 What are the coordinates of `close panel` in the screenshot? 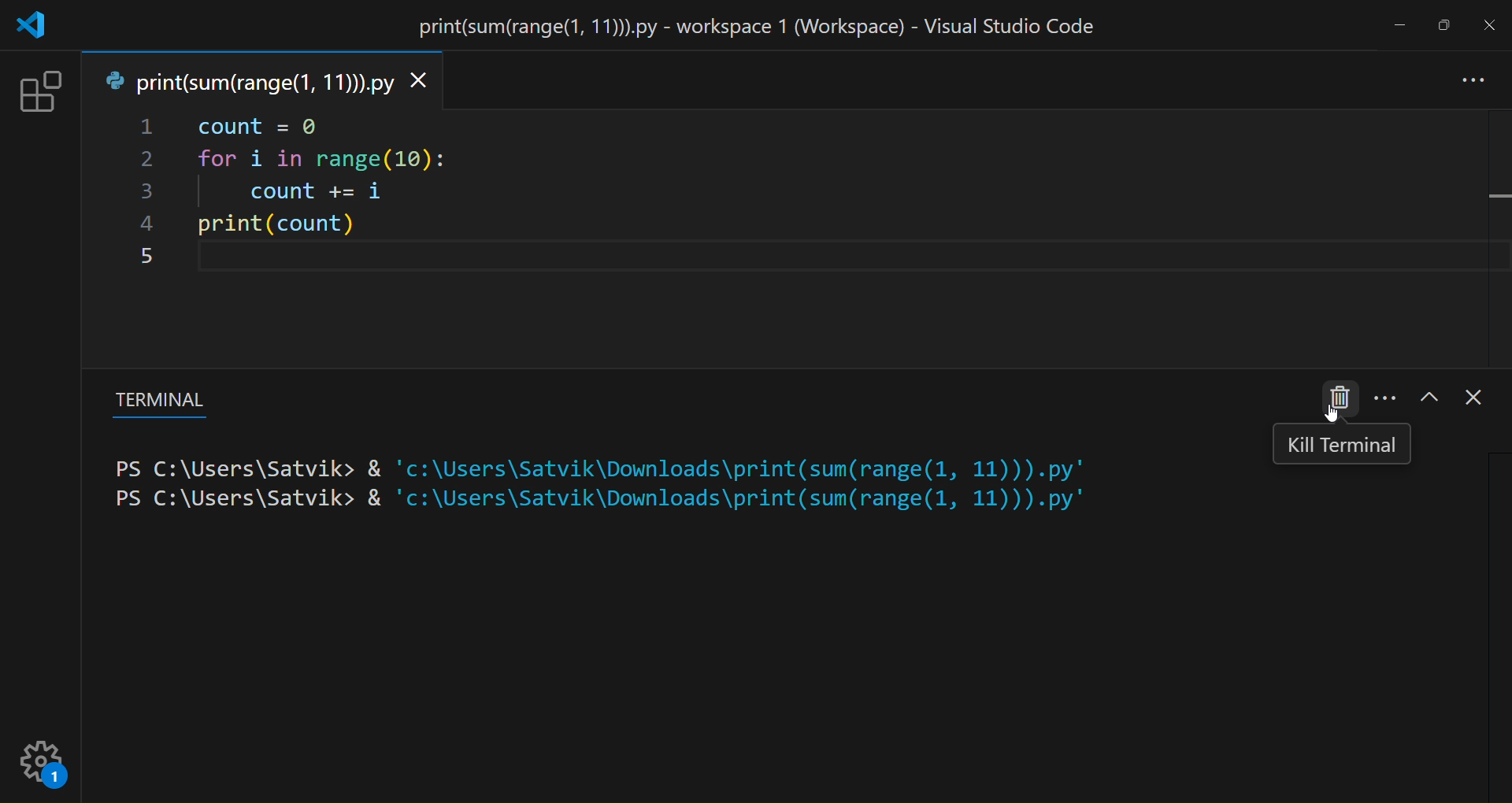 It's located at (1473, 401).